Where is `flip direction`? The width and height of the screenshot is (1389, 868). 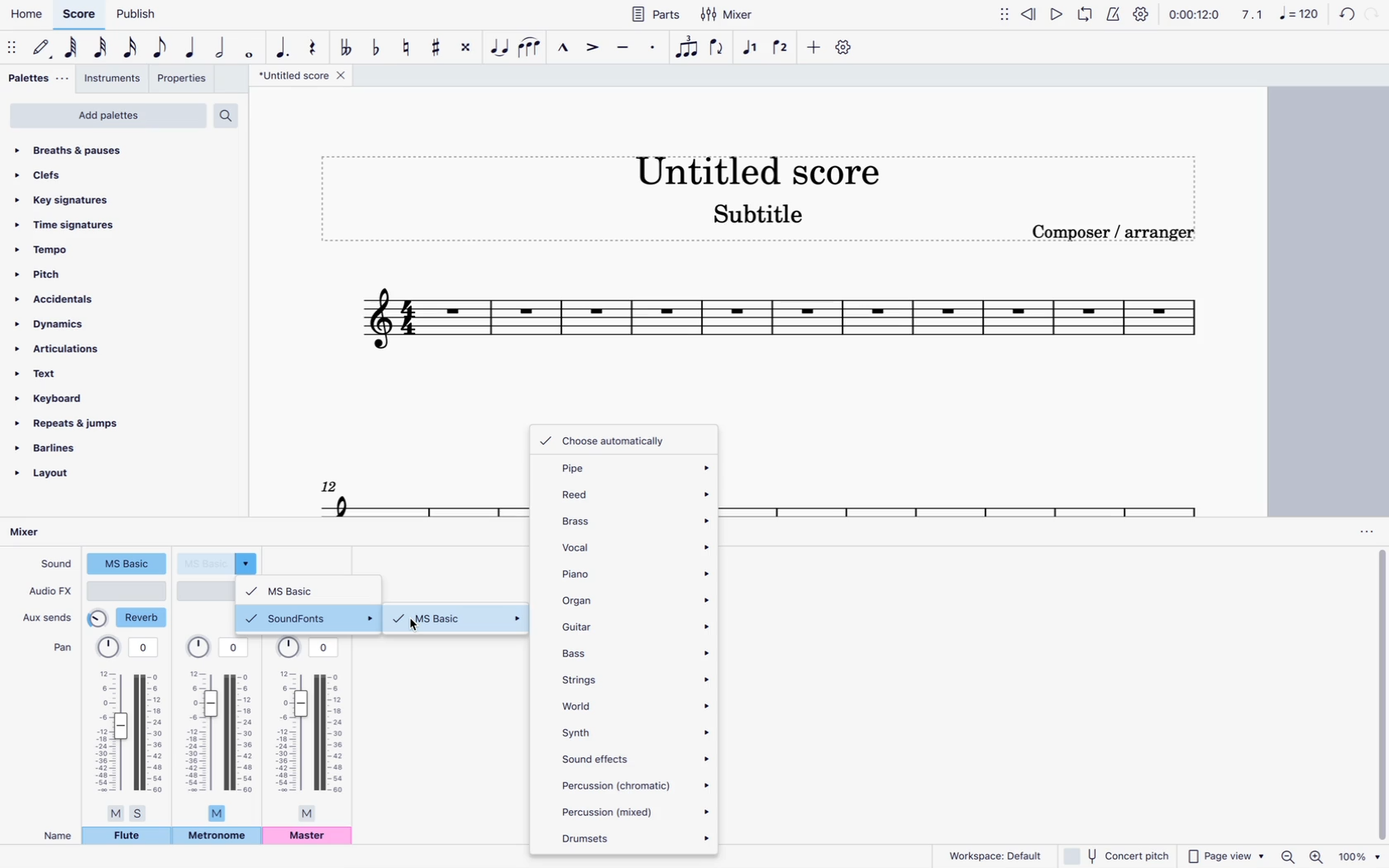
flip direction is located at coordinates (719, 50).